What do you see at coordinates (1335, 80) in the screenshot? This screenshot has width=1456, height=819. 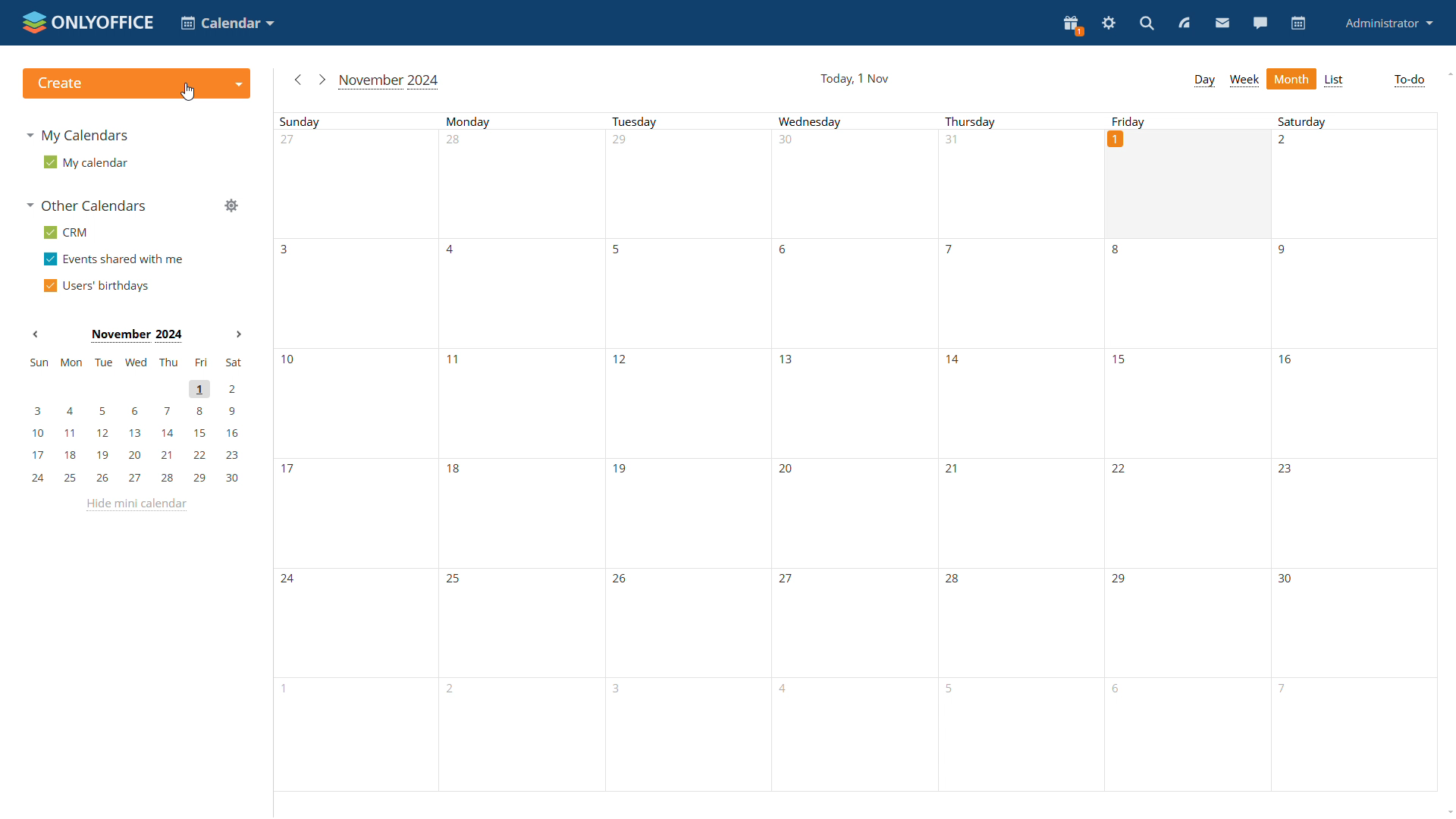 I see `list view ` at bounding box center [1335, 80].